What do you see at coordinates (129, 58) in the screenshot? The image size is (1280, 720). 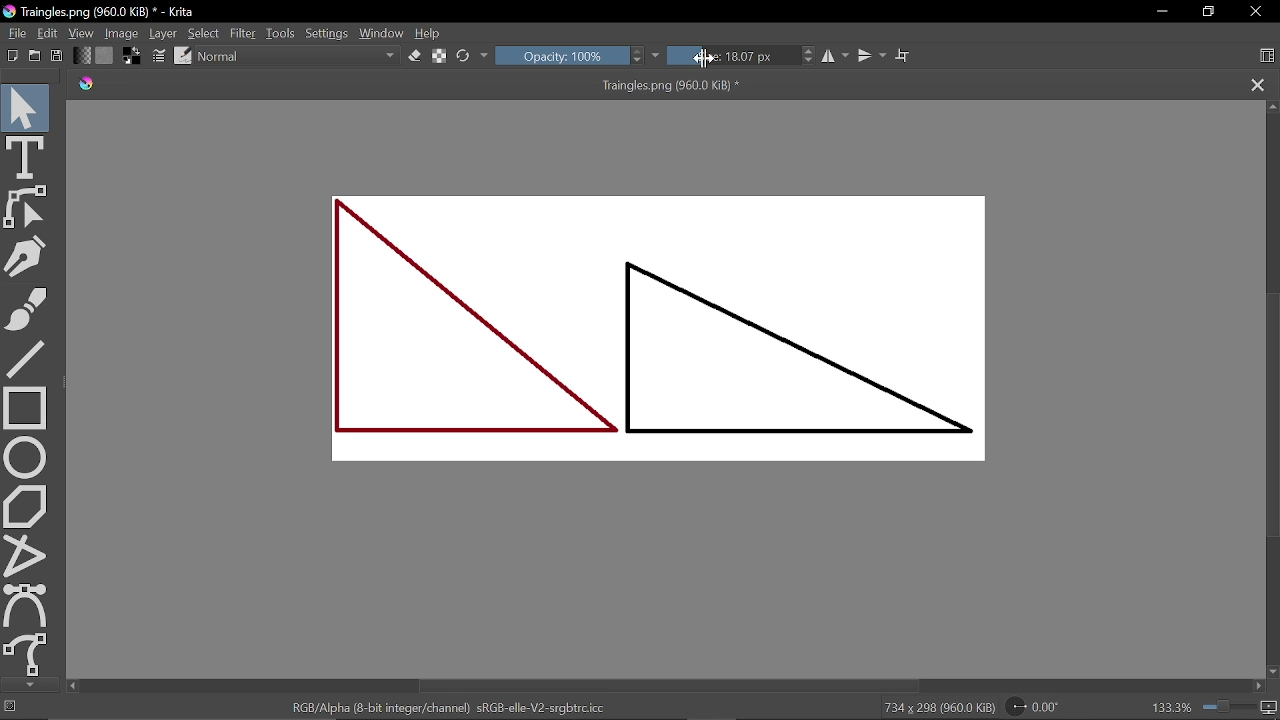 I see `Swap background foreground color` at bounding box center [129, 58].